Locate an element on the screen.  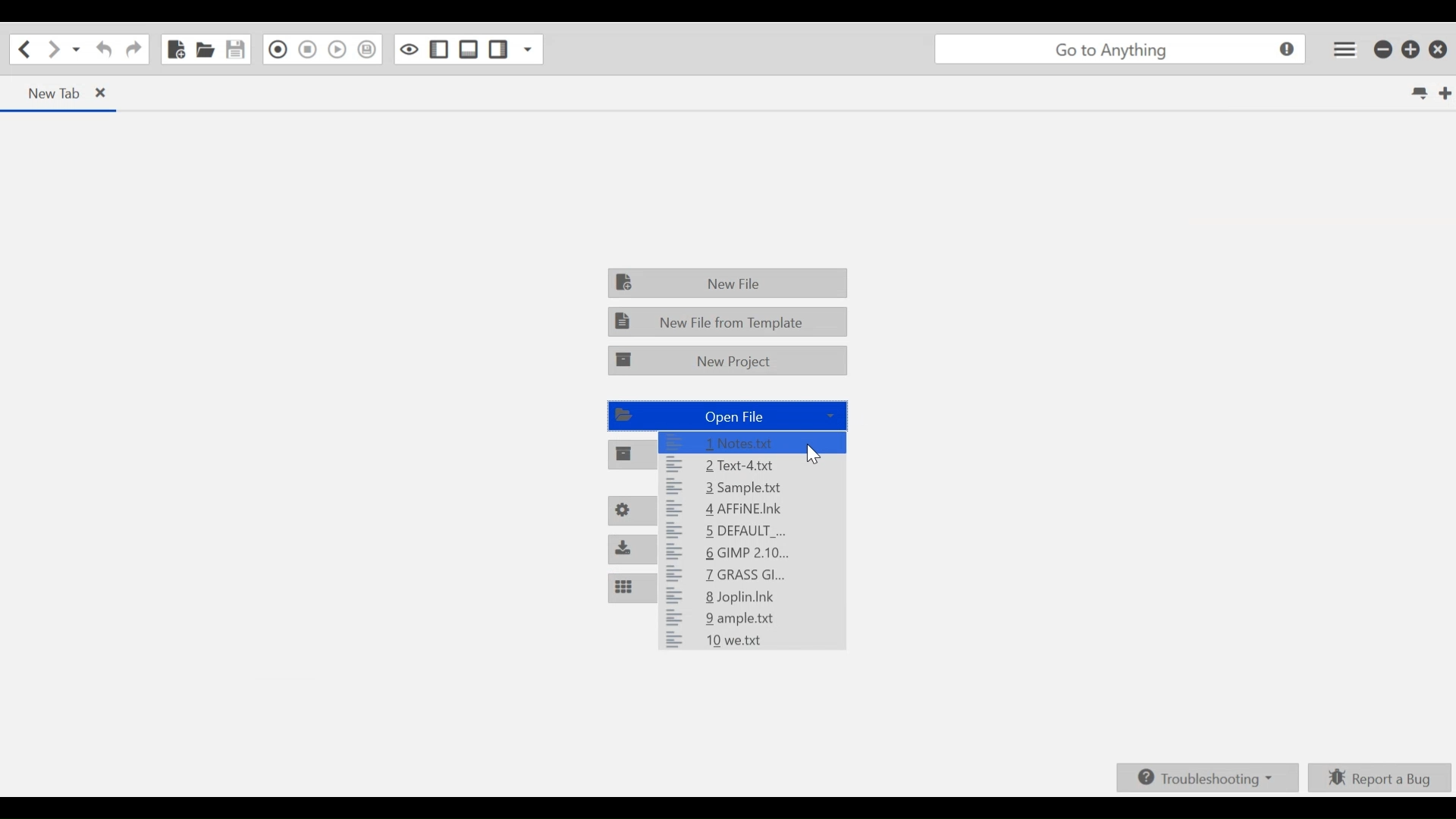
Stop Recording in Macro is located at coordinates (306, 50).